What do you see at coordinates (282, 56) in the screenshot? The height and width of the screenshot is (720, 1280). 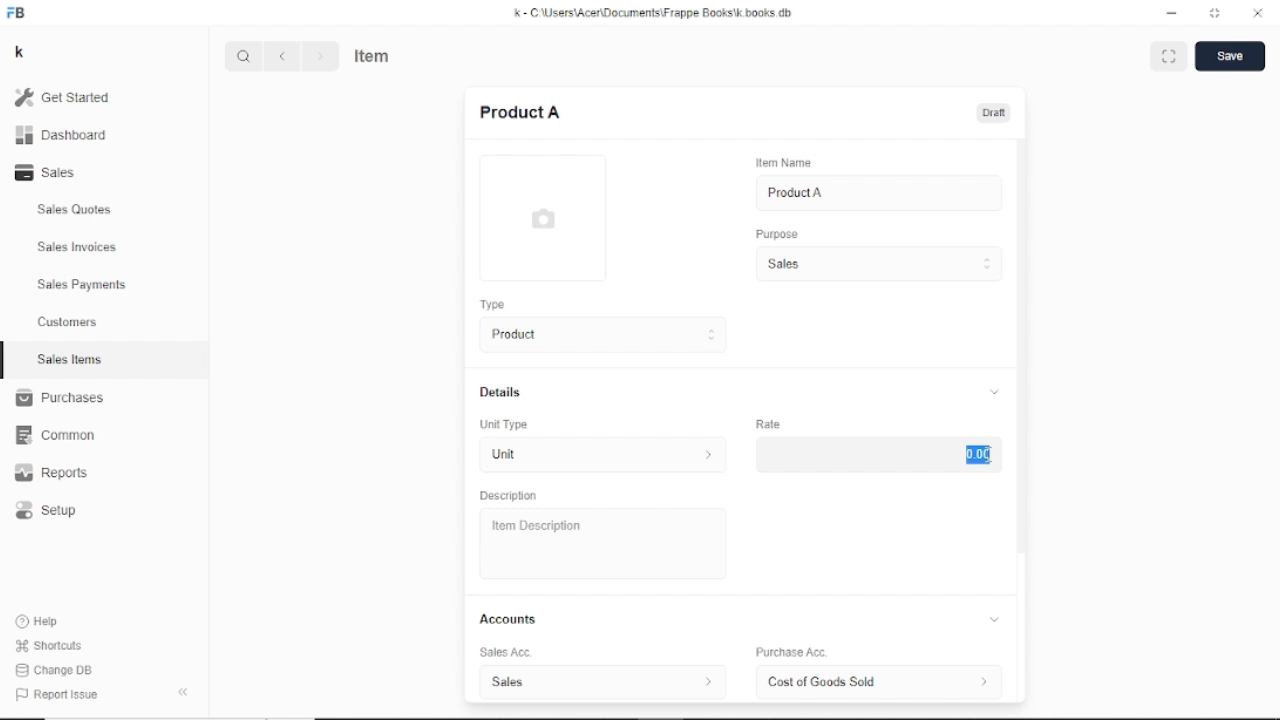 I see `Previous` at bounding box center [282, 56].